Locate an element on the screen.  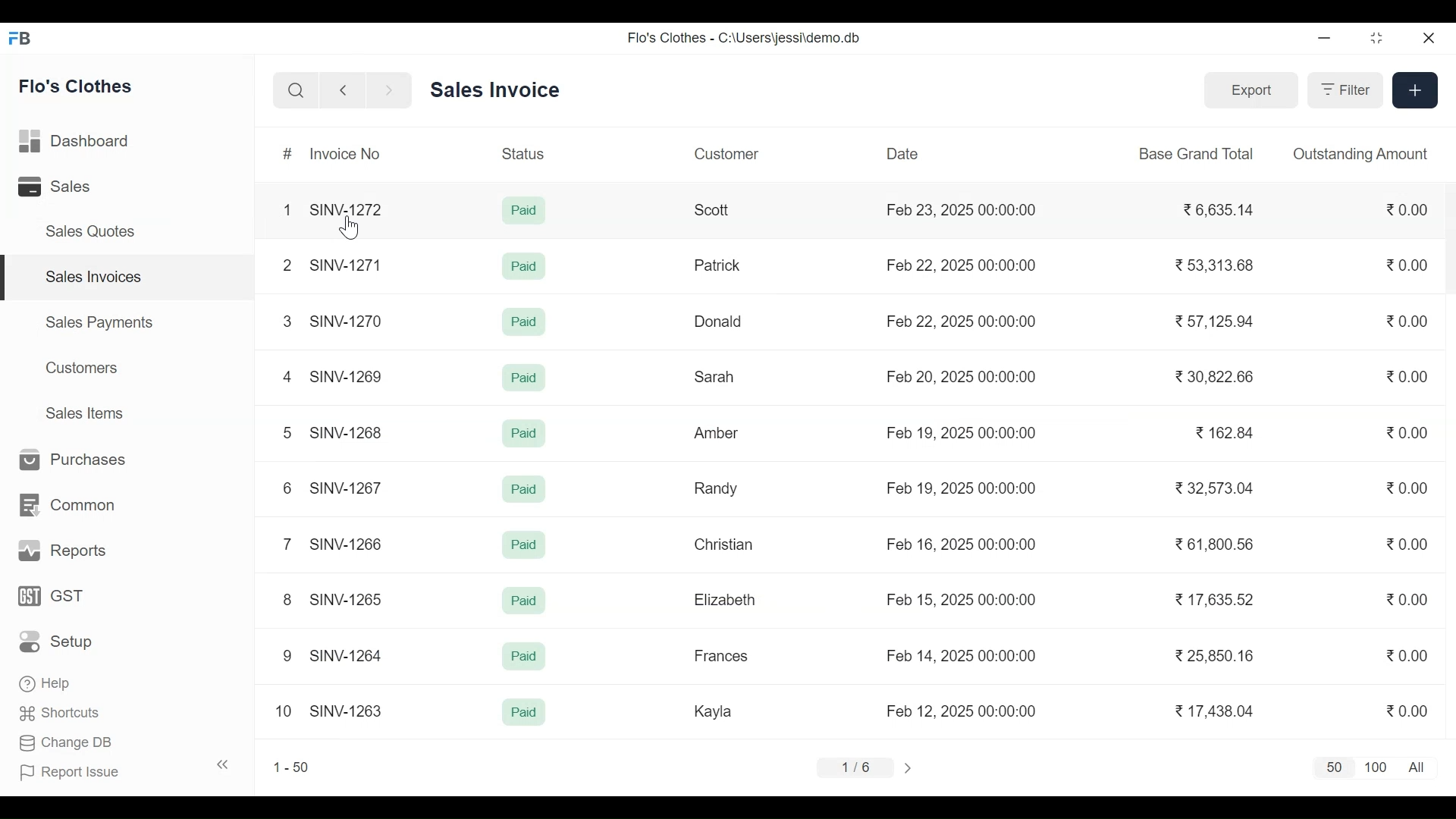
Change DB is located at coordinates (64, 742).